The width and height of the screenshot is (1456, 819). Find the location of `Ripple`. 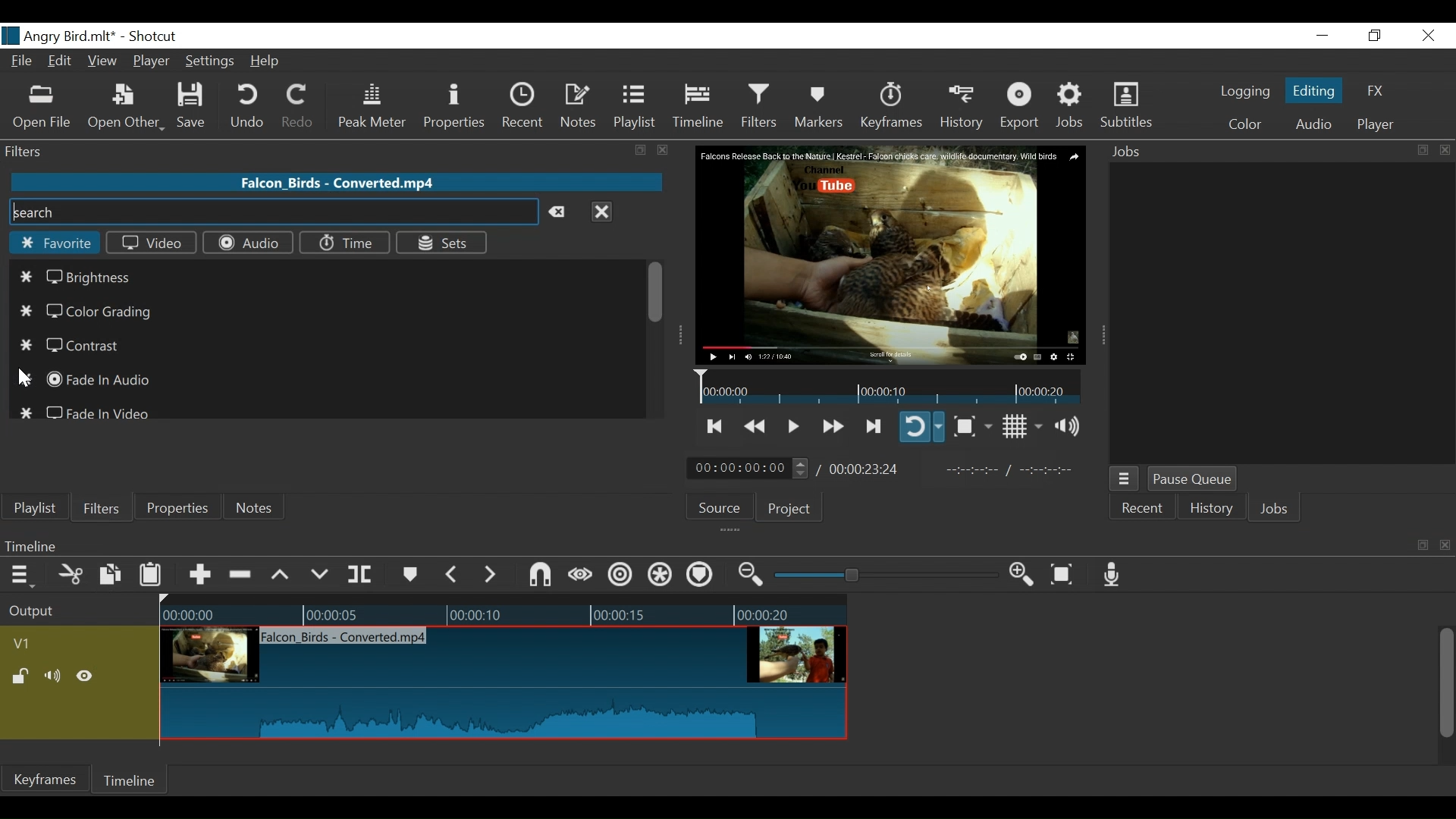

Ripple is located at coordinates (623, 577).